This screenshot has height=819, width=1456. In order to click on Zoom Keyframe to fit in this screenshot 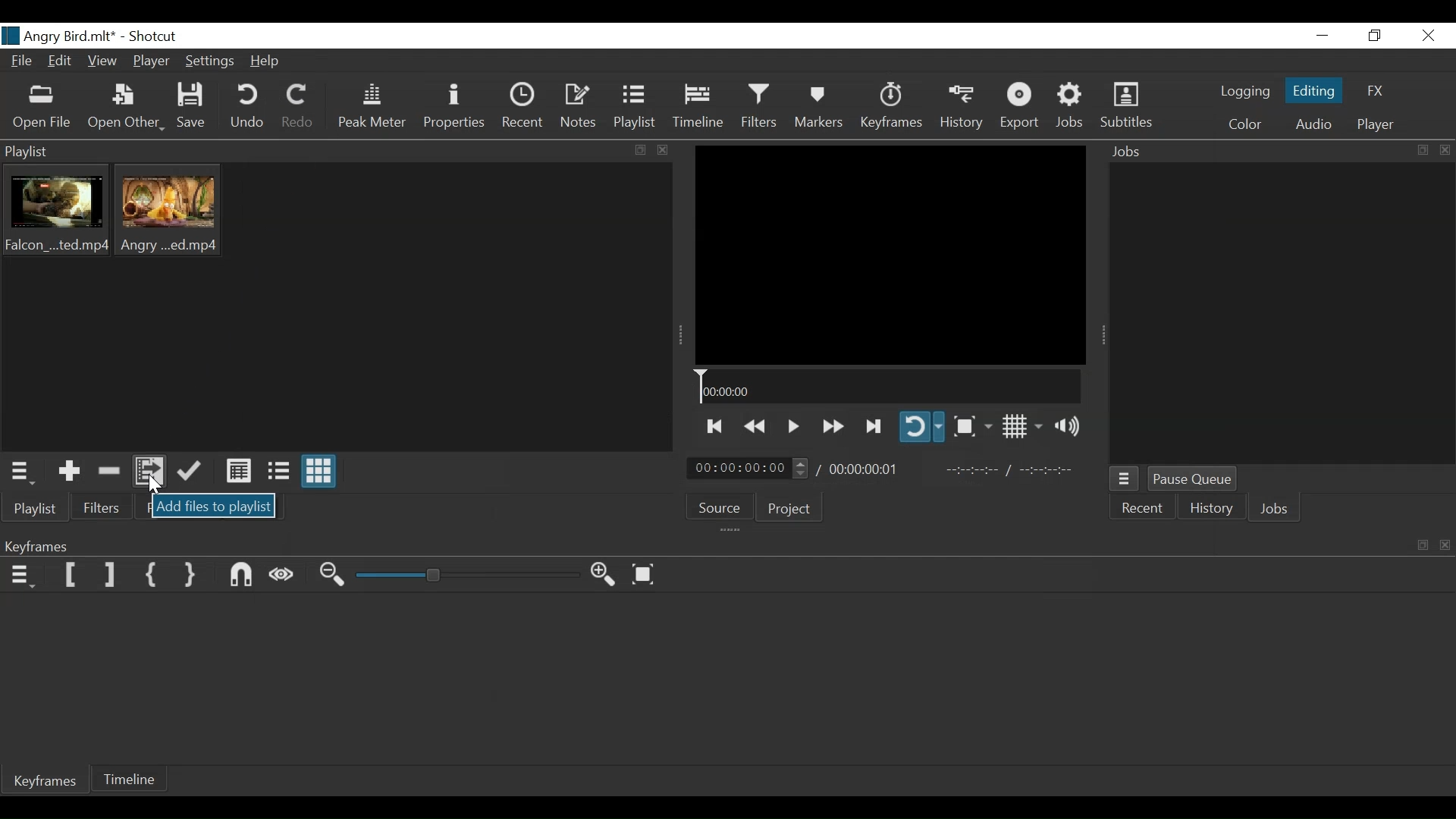, I will do `click(649, 576)`.